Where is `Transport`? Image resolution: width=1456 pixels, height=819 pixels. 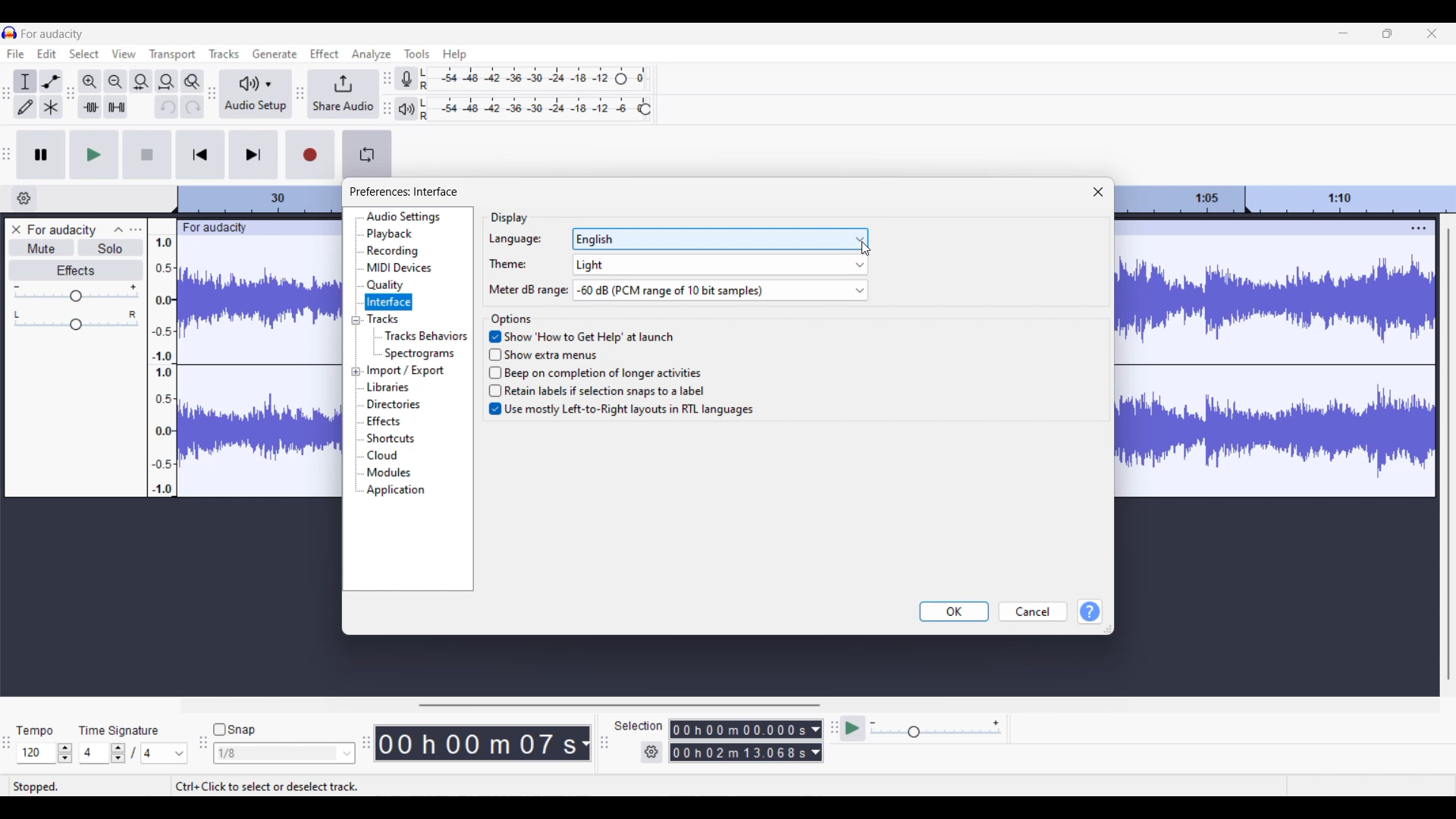
Transport is located at coordinates (173, 54).